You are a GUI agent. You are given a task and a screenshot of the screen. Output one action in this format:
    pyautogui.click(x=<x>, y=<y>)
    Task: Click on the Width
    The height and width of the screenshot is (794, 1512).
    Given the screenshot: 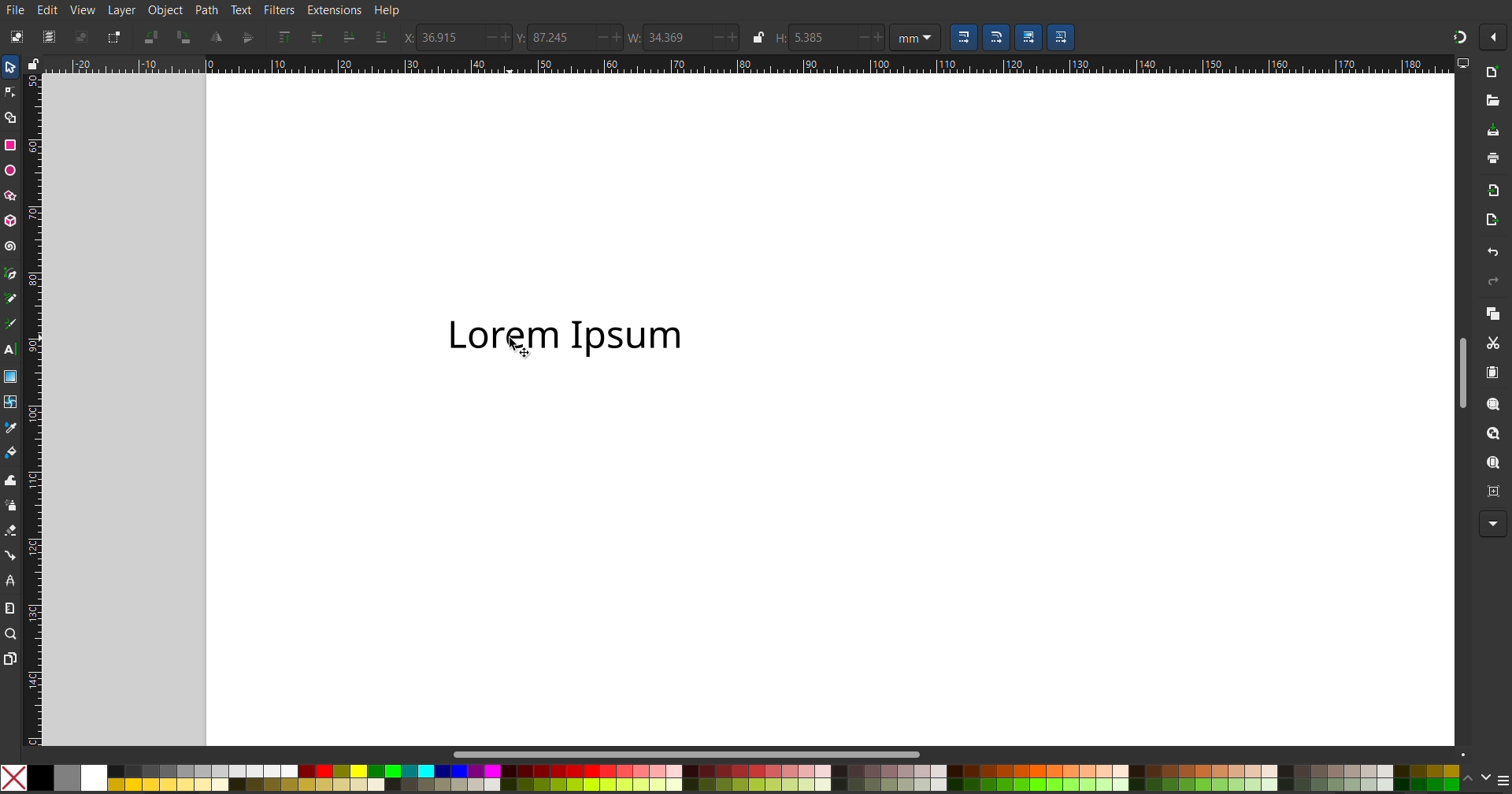 What is the action you would take?
    pyautogui.click(x=686, y=37)
    